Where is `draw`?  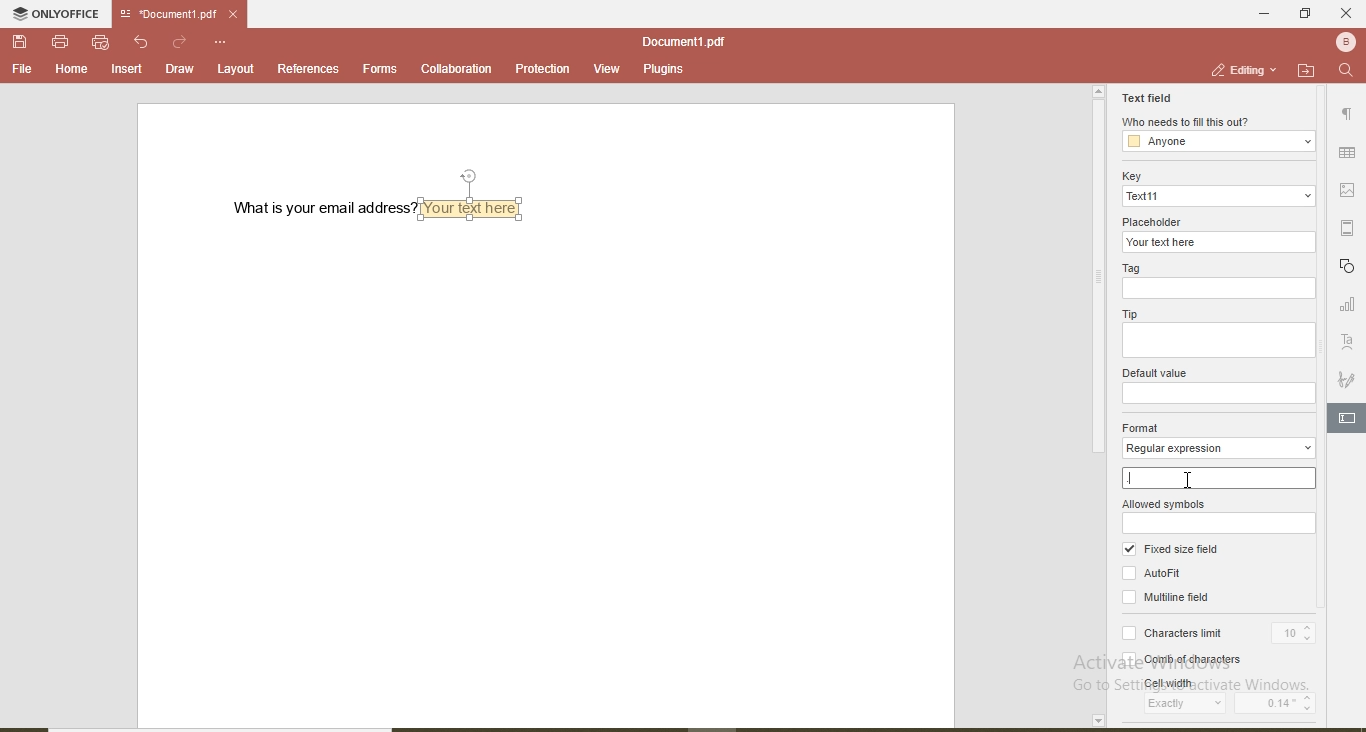
draw is located at coordinates (178, 68).